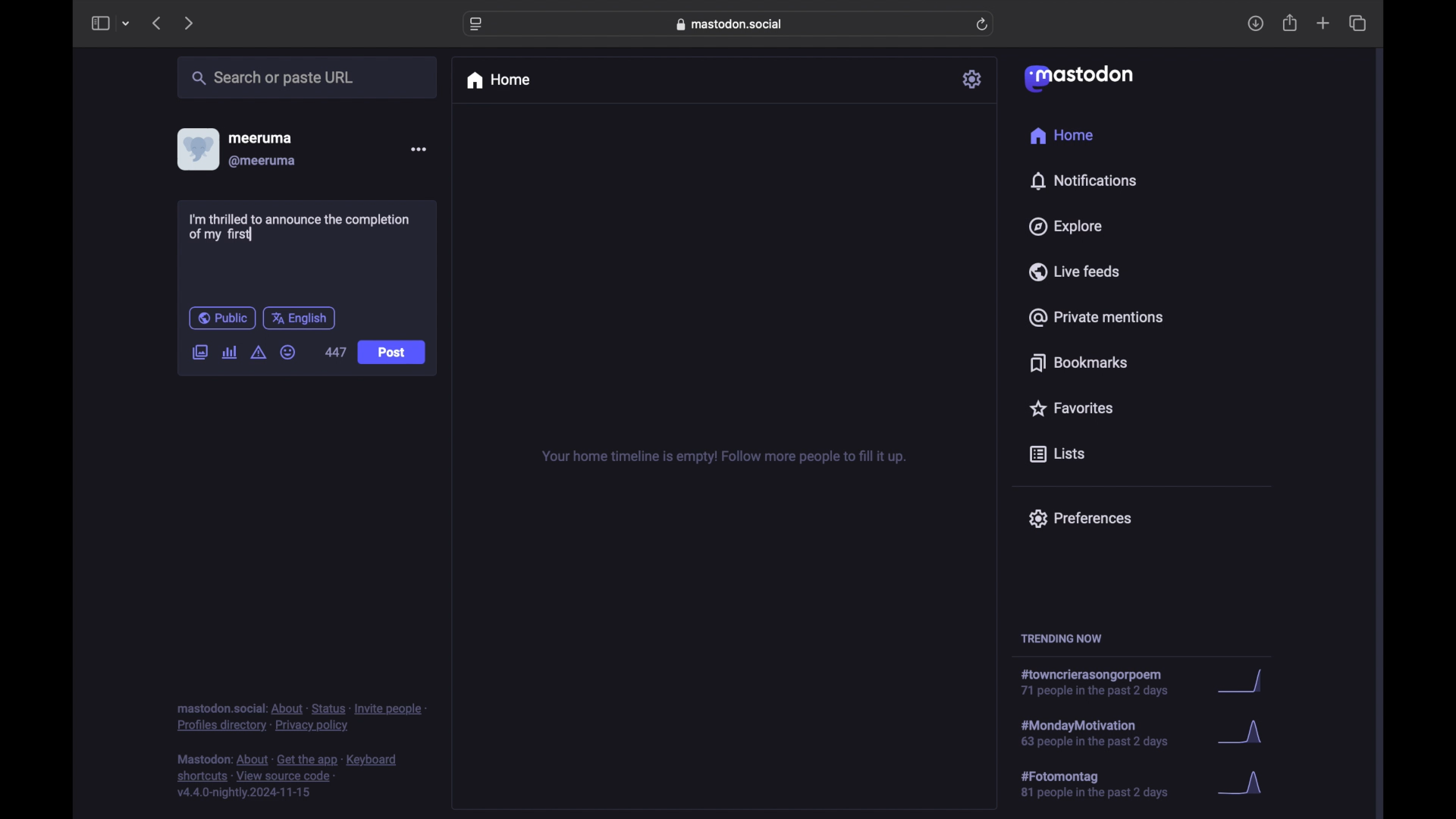 The image size is (1456, 819). I want to click on bookmarks, so click(1081, 362).